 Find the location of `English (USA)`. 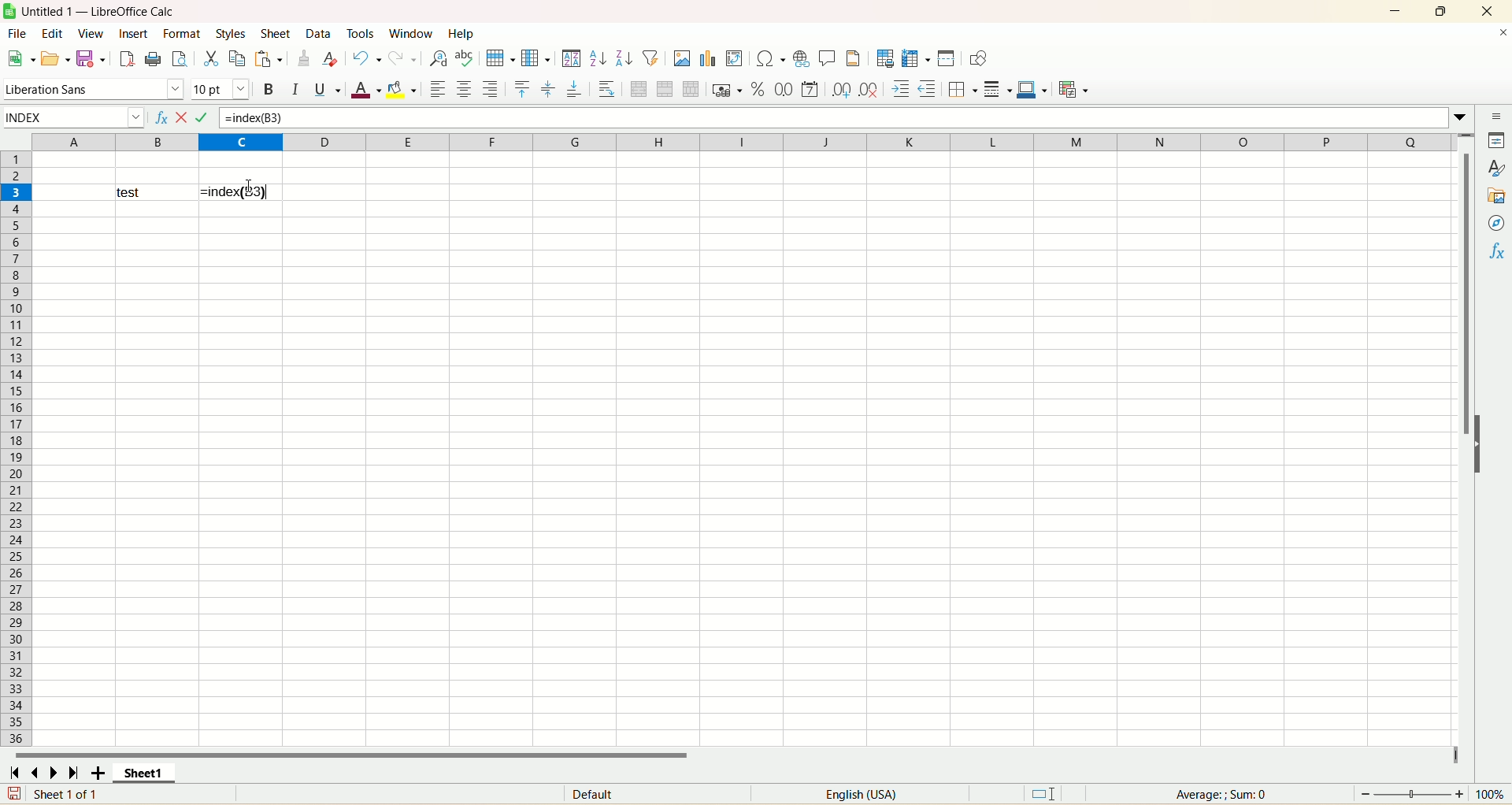

English (USA) is located at coordinates (860, 794).